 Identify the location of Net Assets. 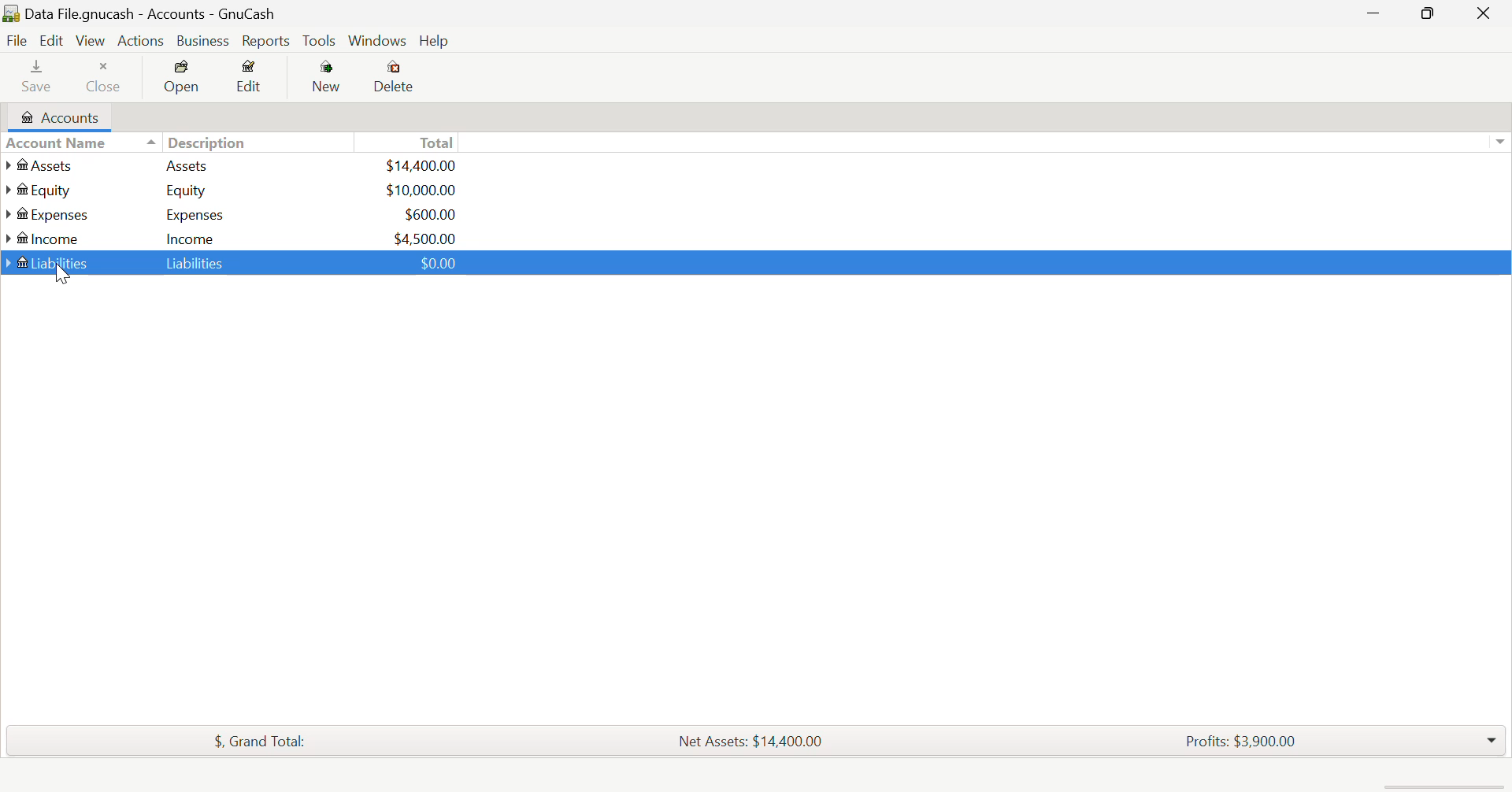
(754, 741).